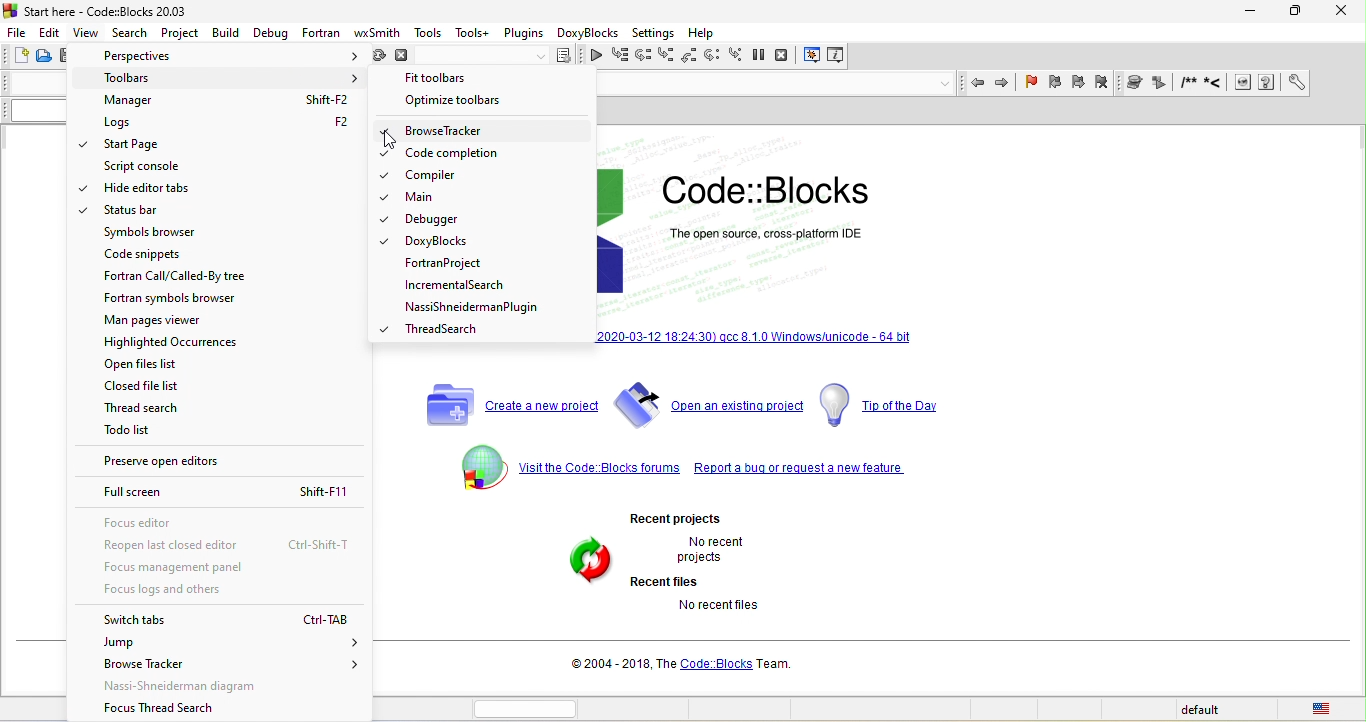  What do you see at coordinates (145, 410) in the screenshot?
I see `thread list` at bounding box center [145, 410].